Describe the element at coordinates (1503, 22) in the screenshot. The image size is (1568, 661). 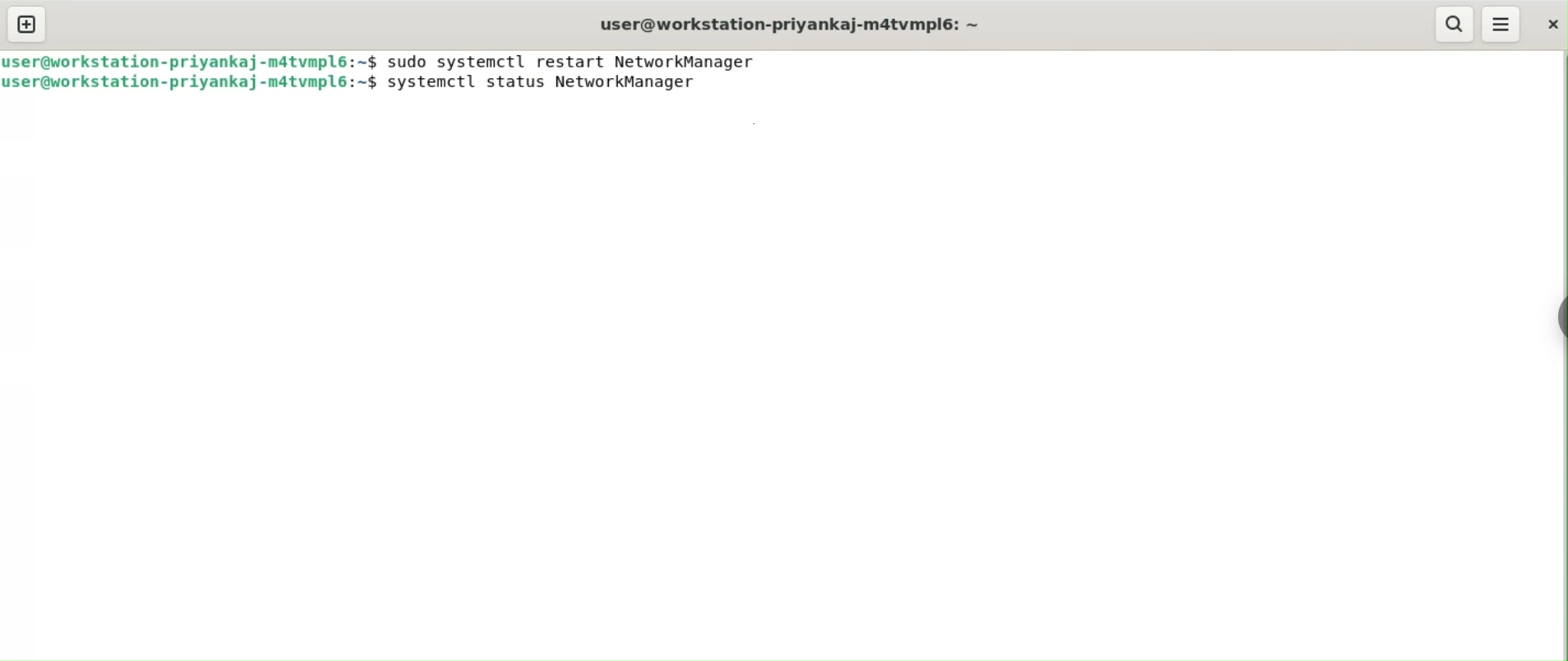
I see `menu` at that location.